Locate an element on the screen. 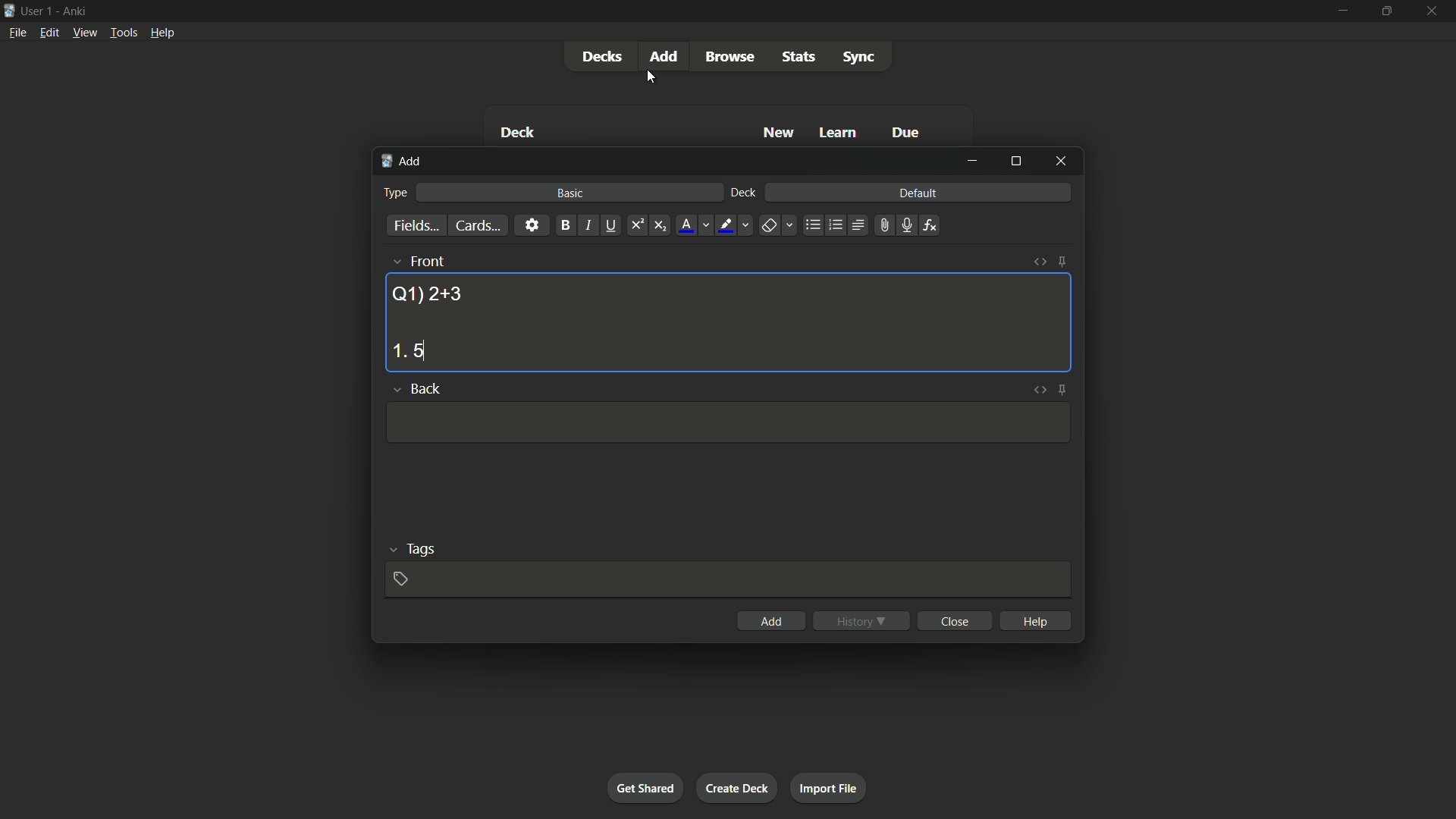 Image resolution: width=1456 pixels, height=819 pixels. deck is located at coordinates (517, 134).